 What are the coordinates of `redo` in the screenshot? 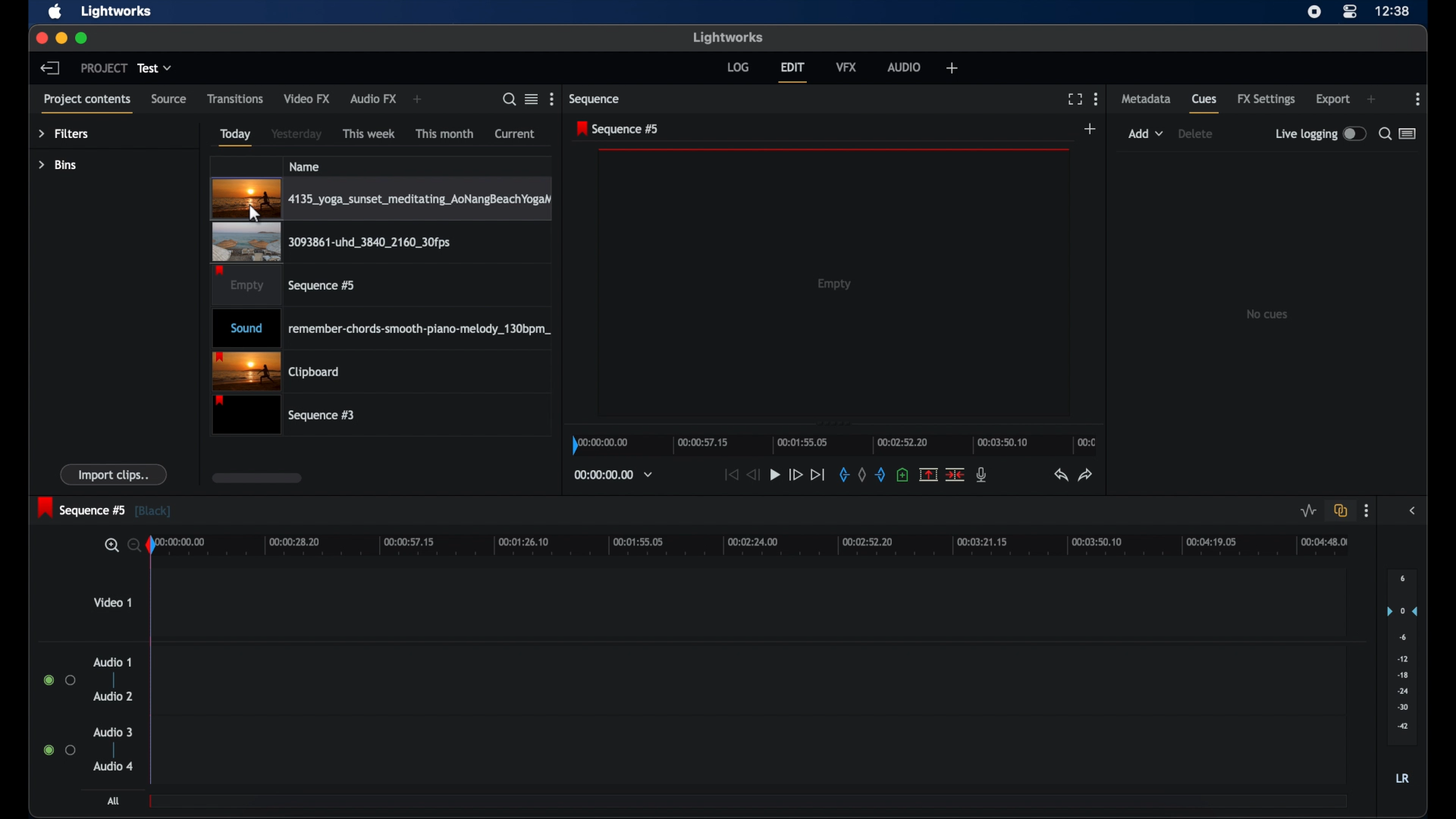 It's located at (1086, 475).